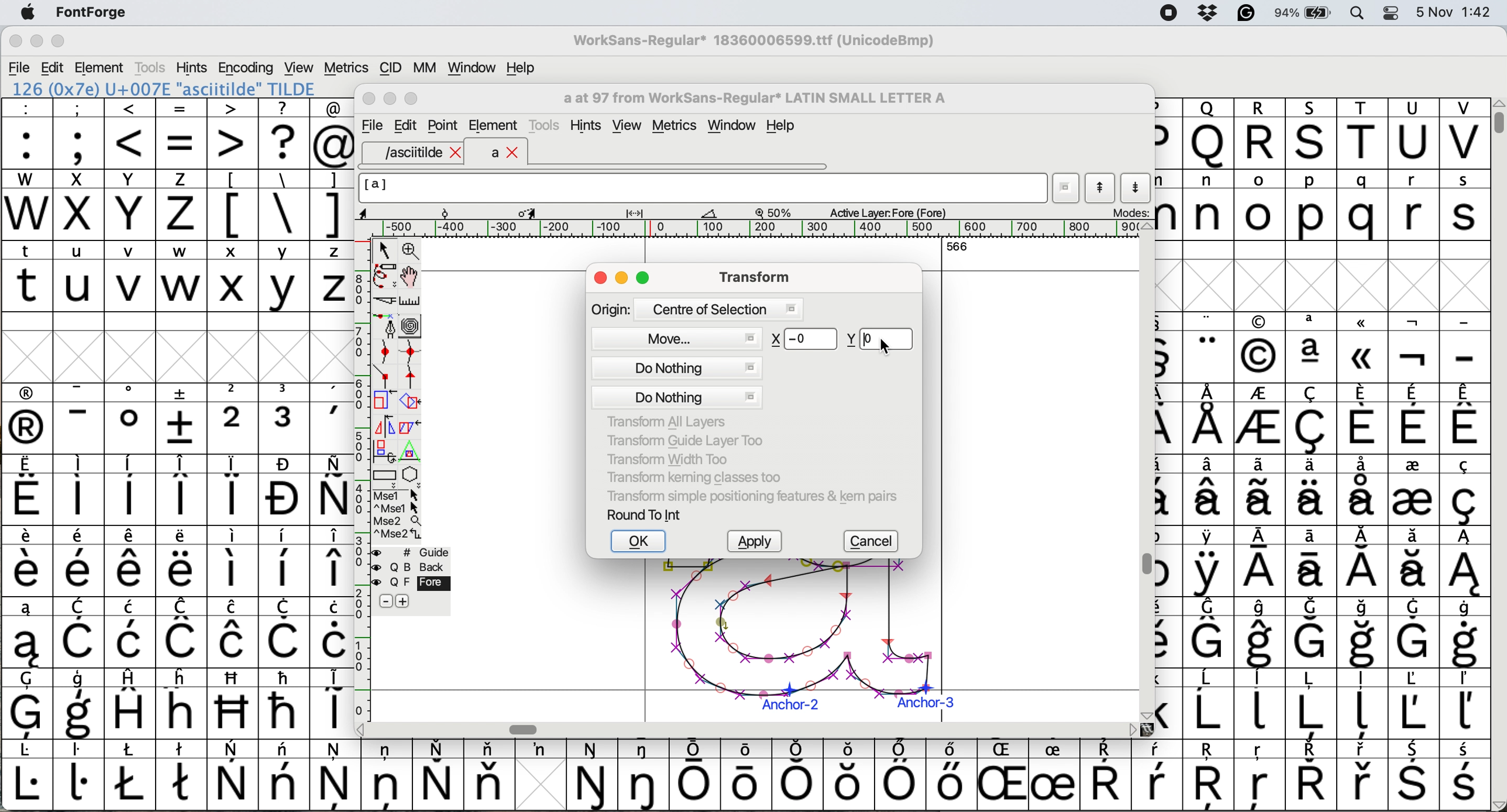 This screenshot has height=812, width=1507. I want to click on symbol, so click(1310, 703).